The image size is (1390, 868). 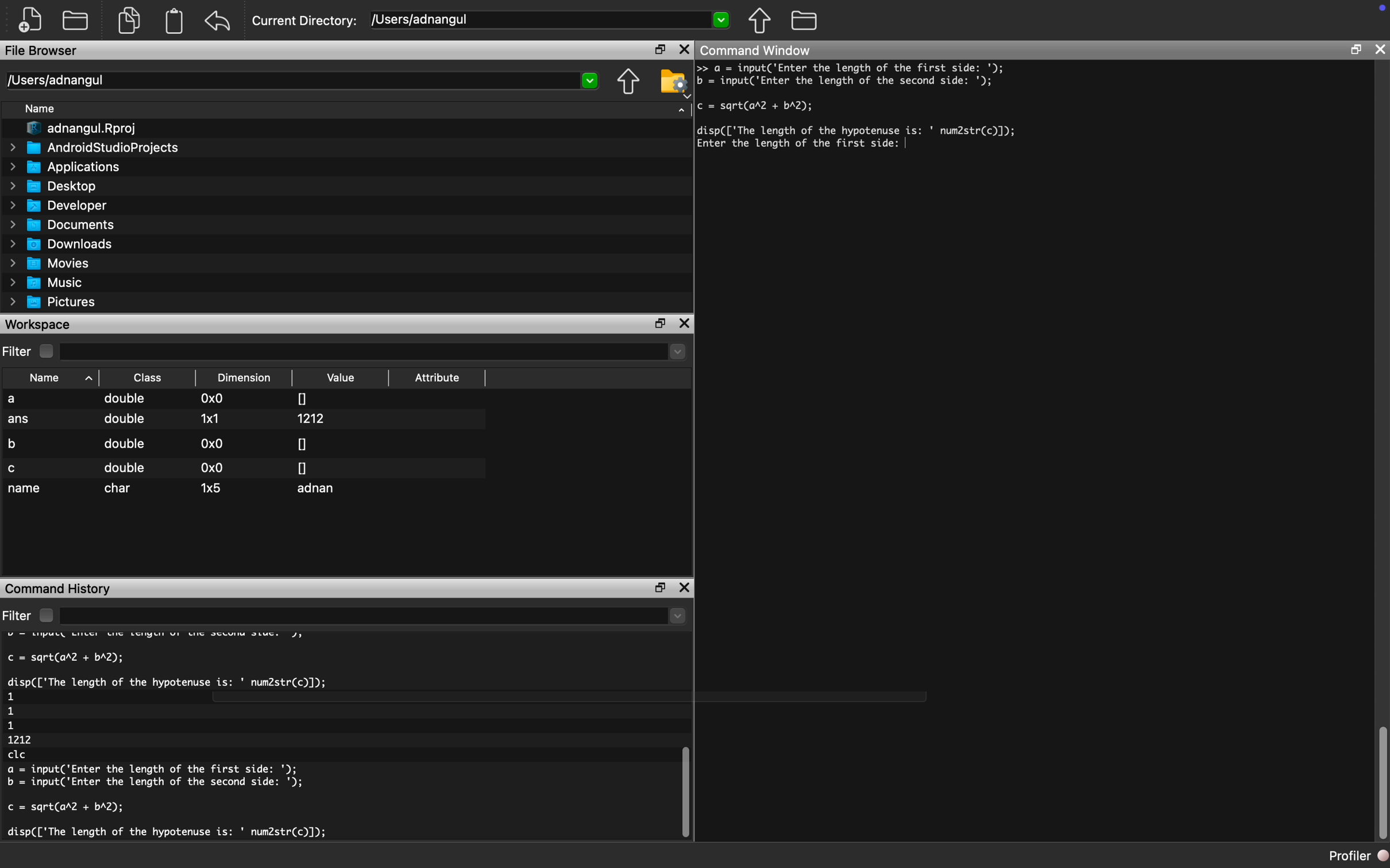 I want to click on double, so click(x=126, y=400).